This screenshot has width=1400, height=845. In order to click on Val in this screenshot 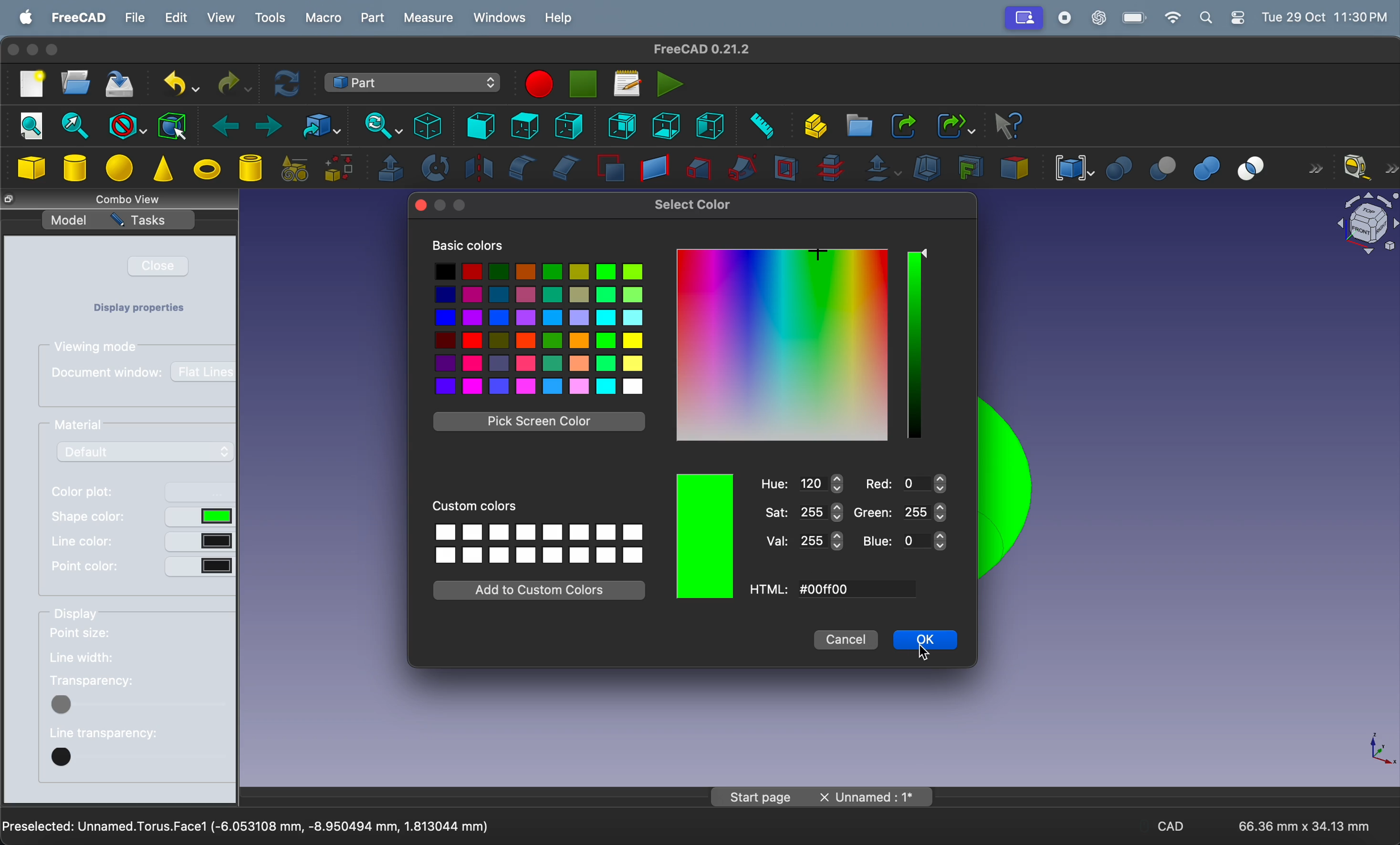, I will do `click(805, 540)`.